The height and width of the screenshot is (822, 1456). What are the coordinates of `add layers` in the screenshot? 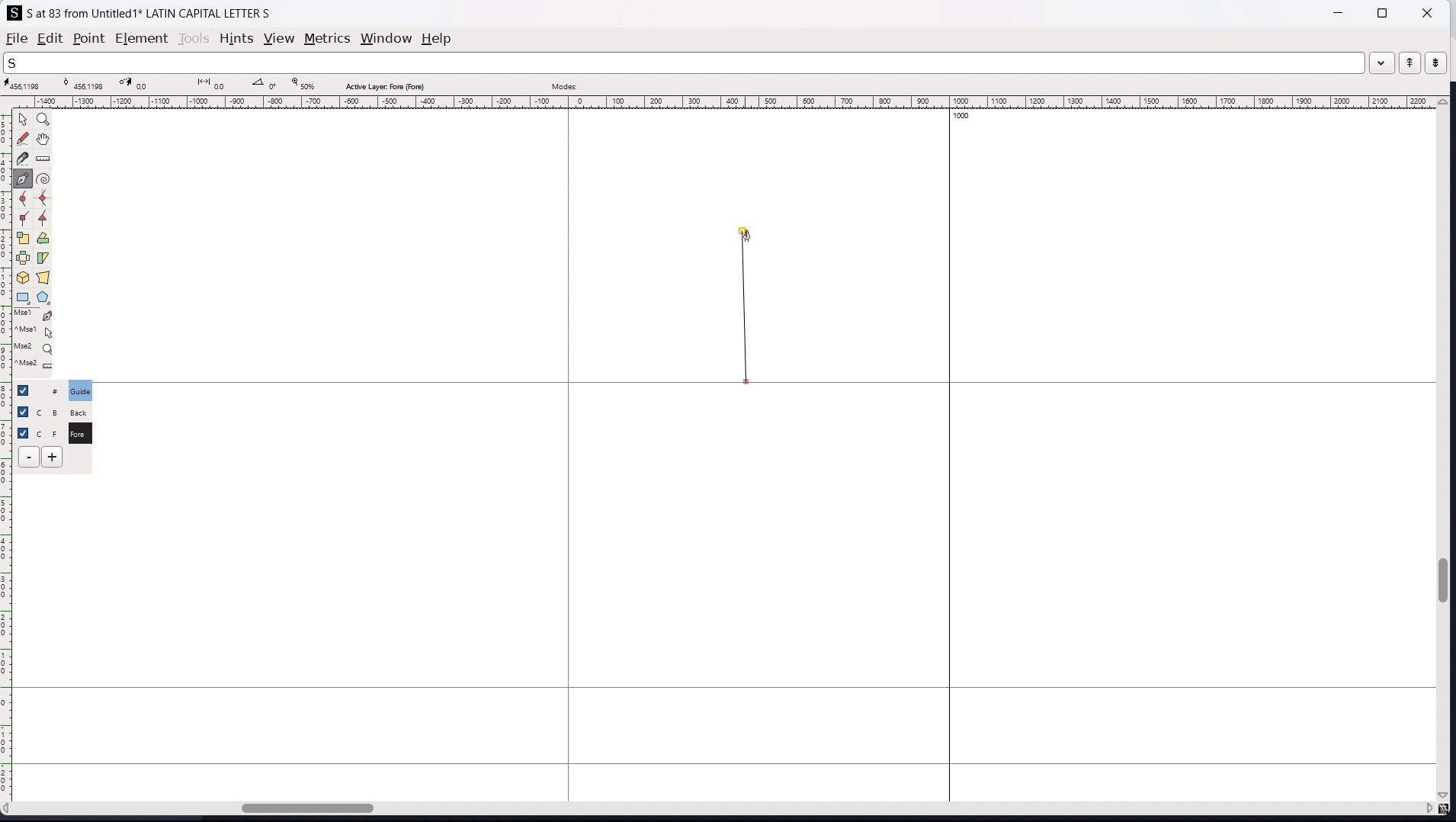 It's located at (52, 457).